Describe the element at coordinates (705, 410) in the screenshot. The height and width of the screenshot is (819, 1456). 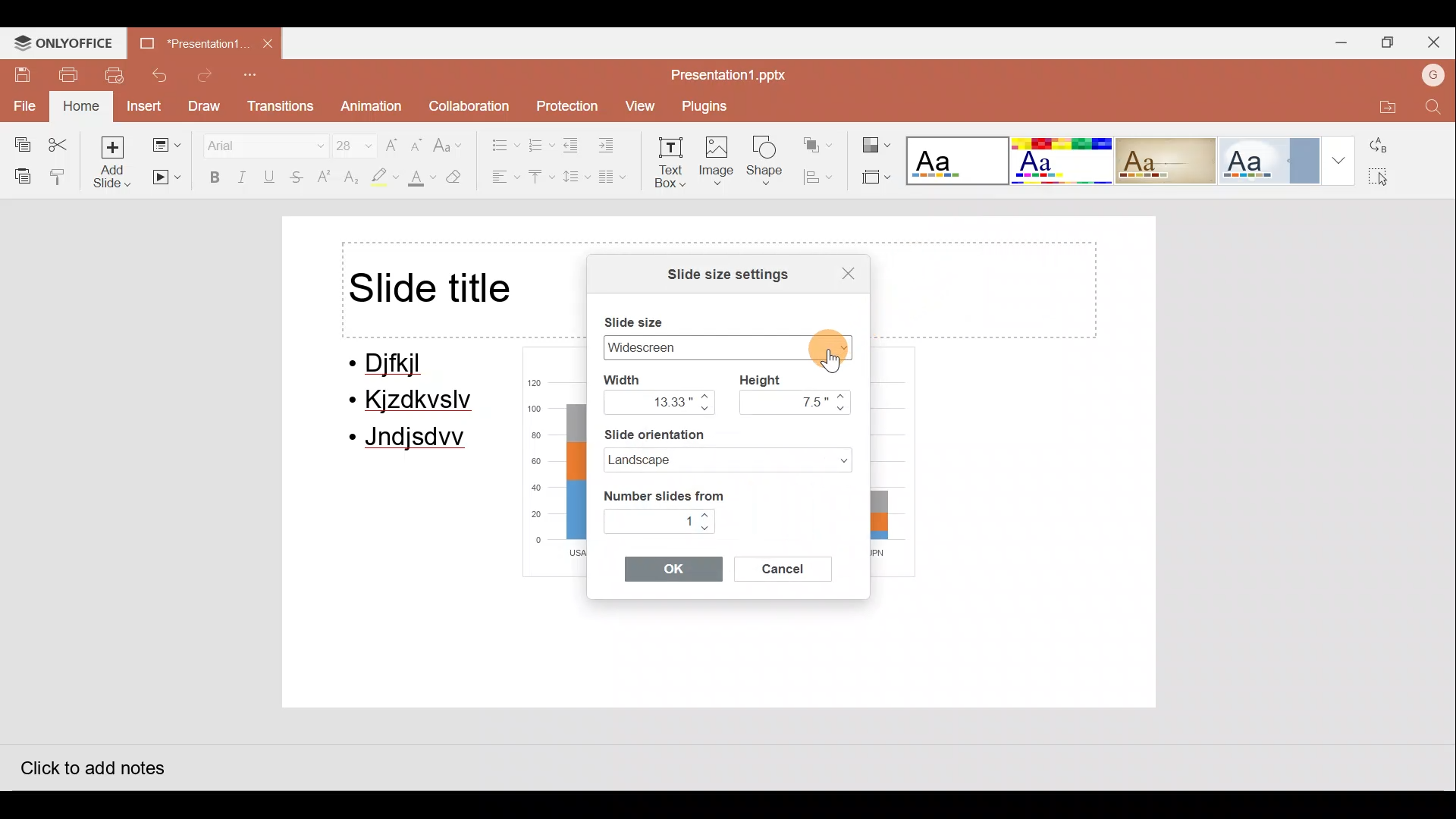
I see `Navigate down` at that location.